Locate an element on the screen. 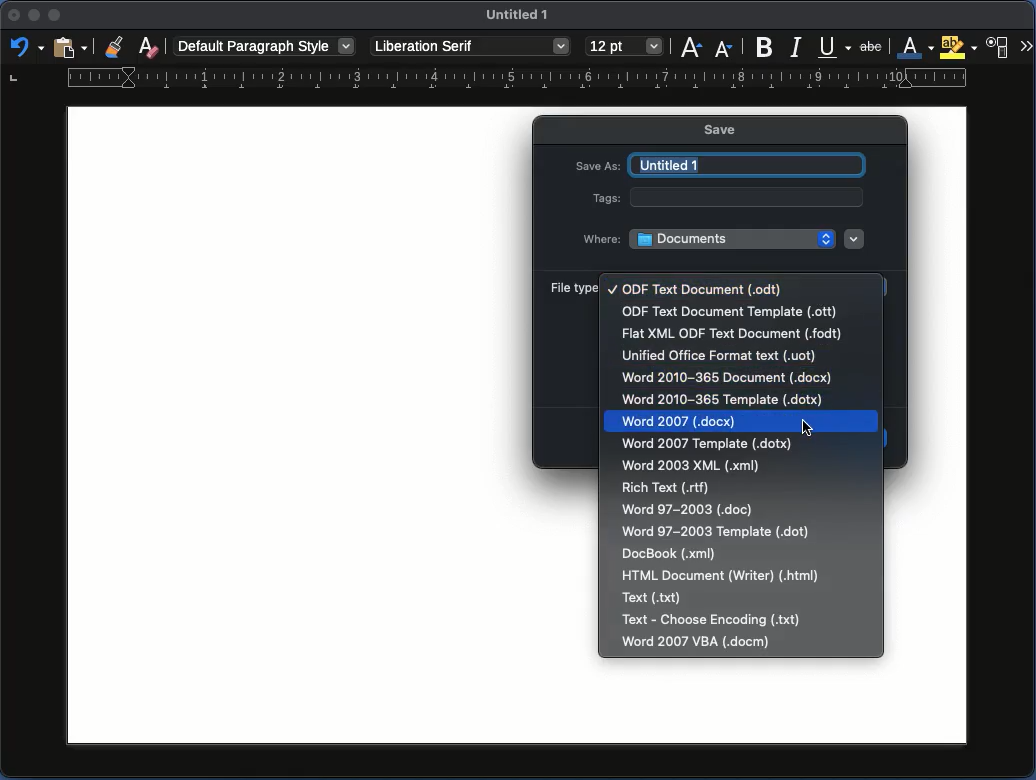 The width and height of the screenshot is (1036, 780). dotx is located at coordinates (711, 445).